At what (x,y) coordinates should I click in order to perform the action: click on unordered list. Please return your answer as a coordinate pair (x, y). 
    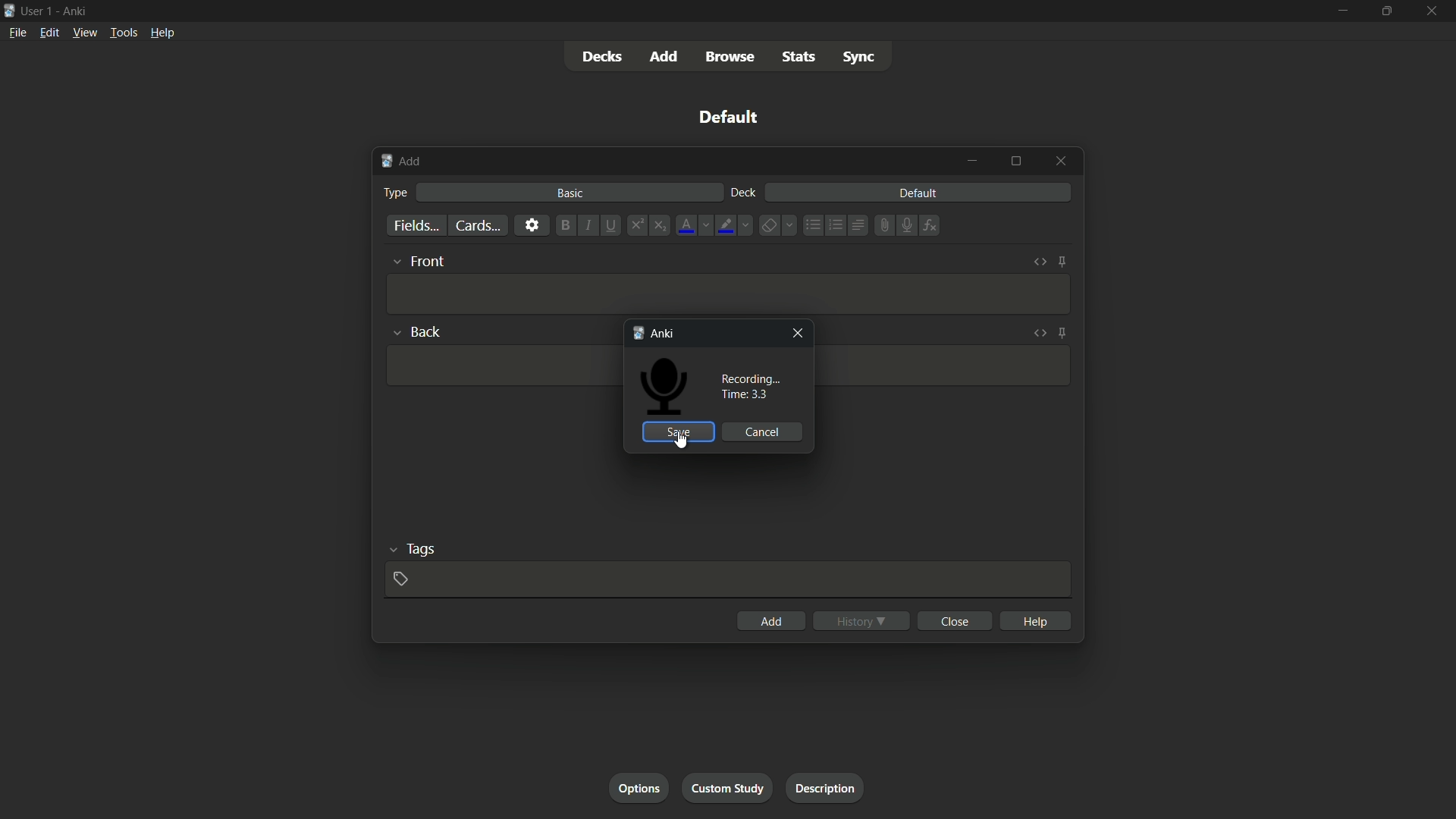
    Looking at the image, I should click on (812, 225).